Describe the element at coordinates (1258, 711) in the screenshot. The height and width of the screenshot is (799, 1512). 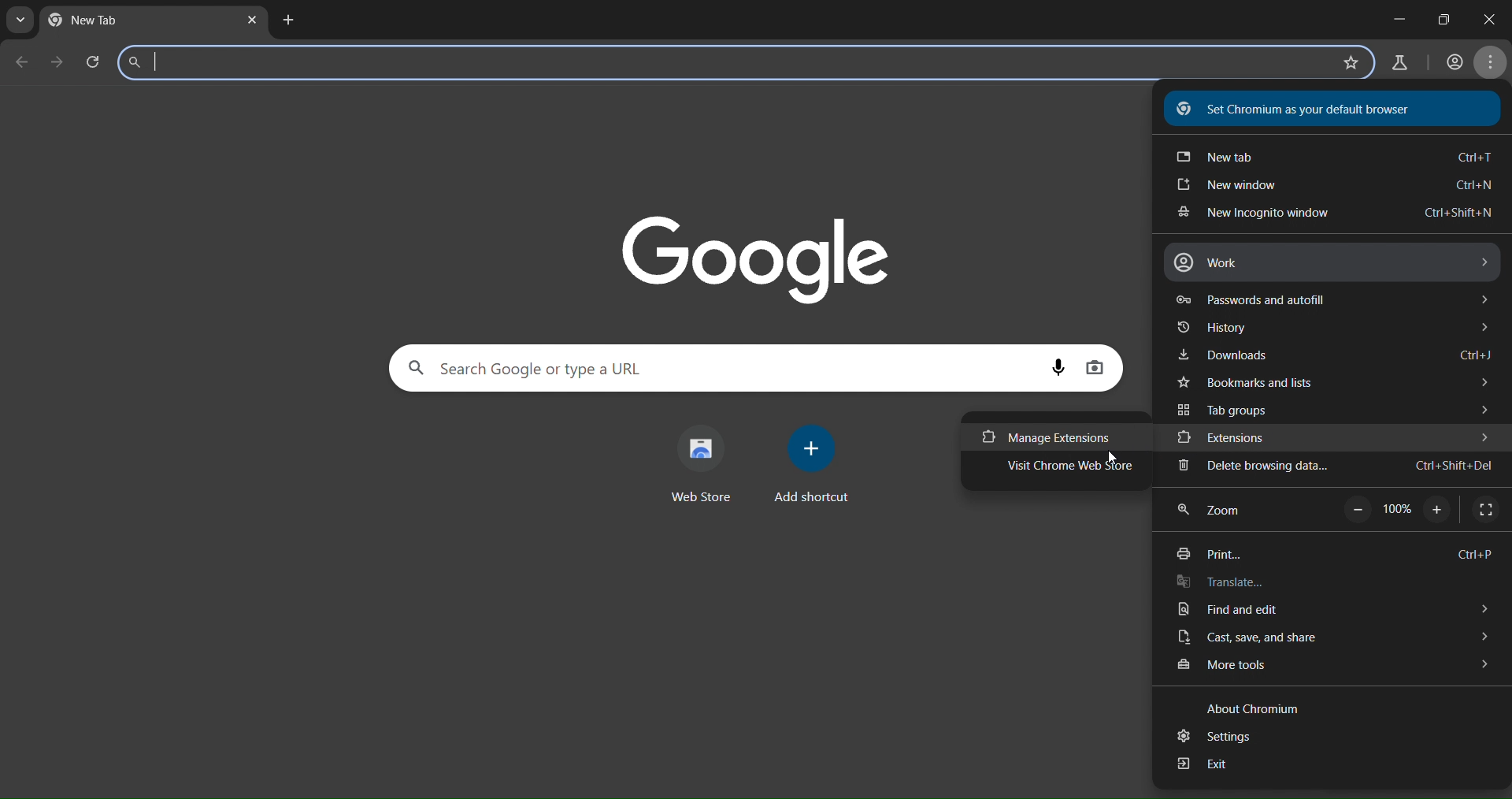
I see `About Chromium` at that location.